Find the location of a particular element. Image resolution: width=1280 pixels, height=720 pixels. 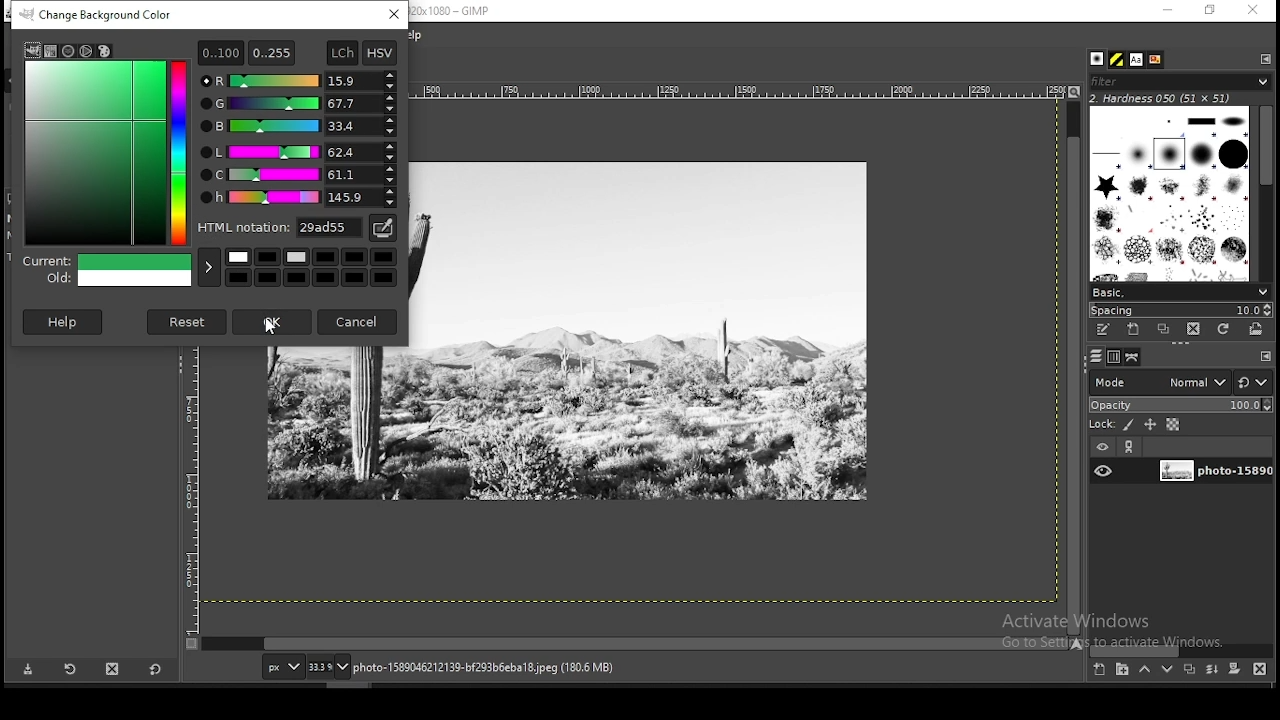

lch is located at coordinates (341, 53).